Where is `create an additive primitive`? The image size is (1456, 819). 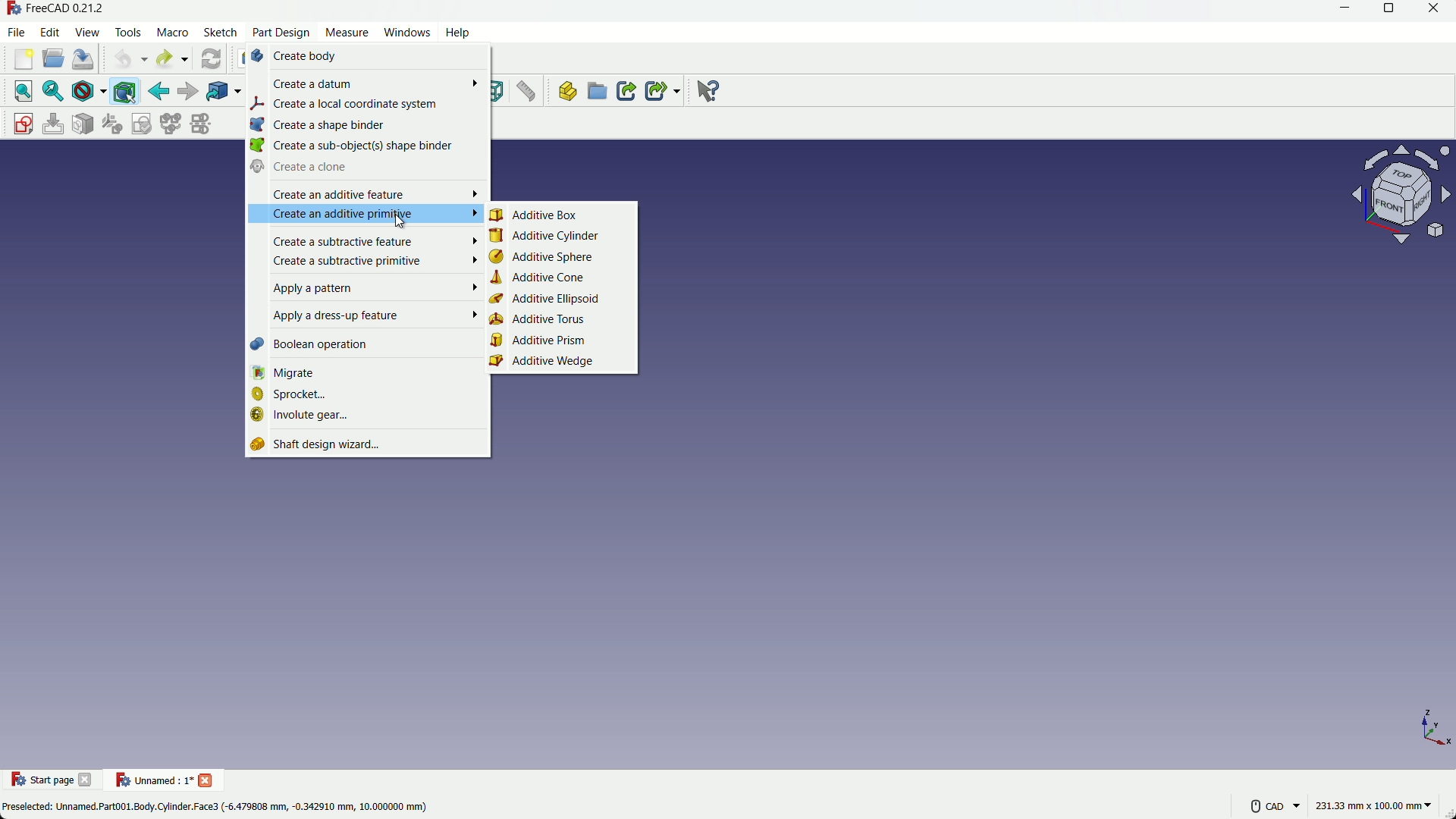 create an additive primitive is located at coordinates (365, 215).